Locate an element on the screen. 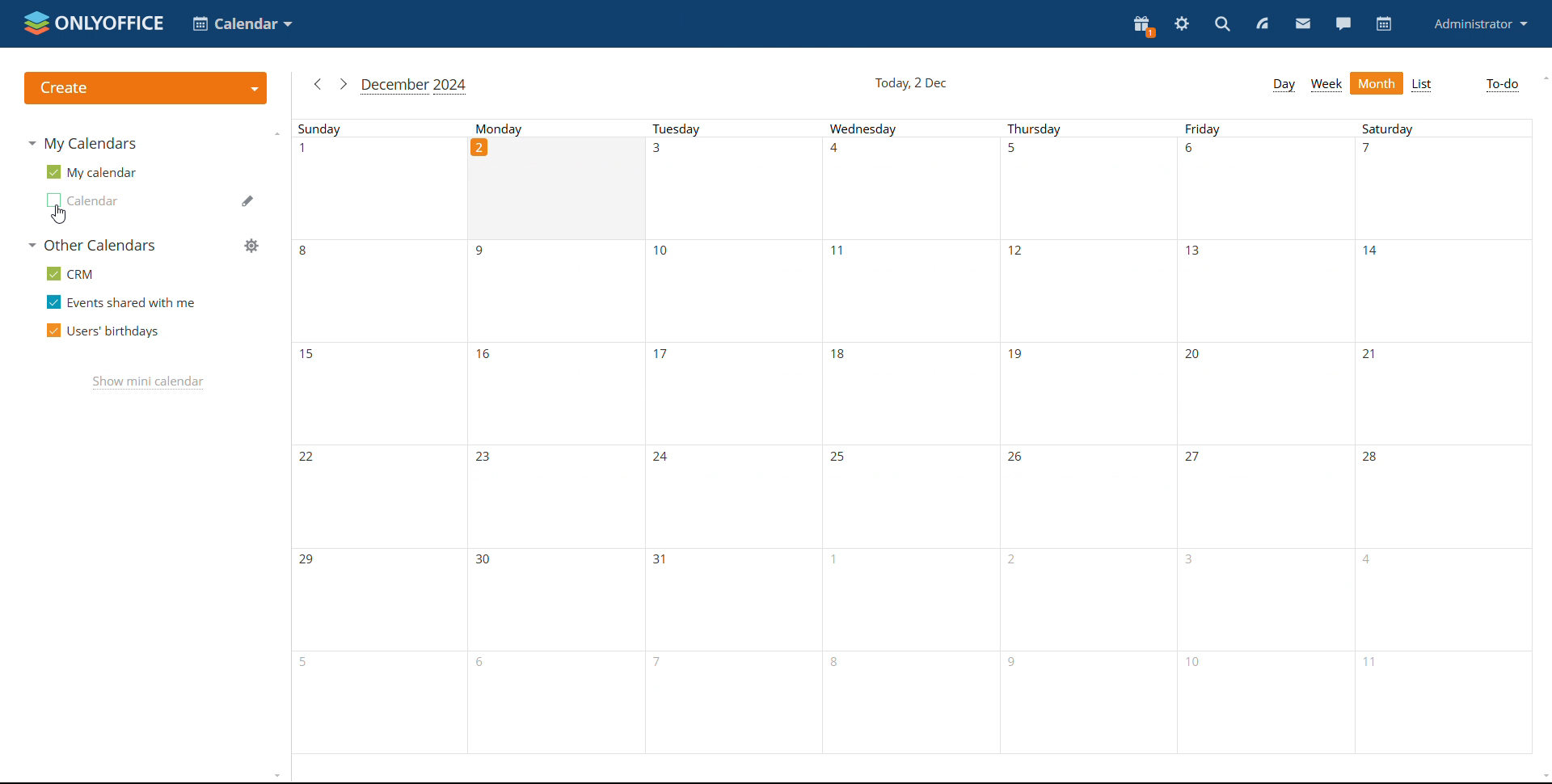  11 is located at coordinates (909, 290).